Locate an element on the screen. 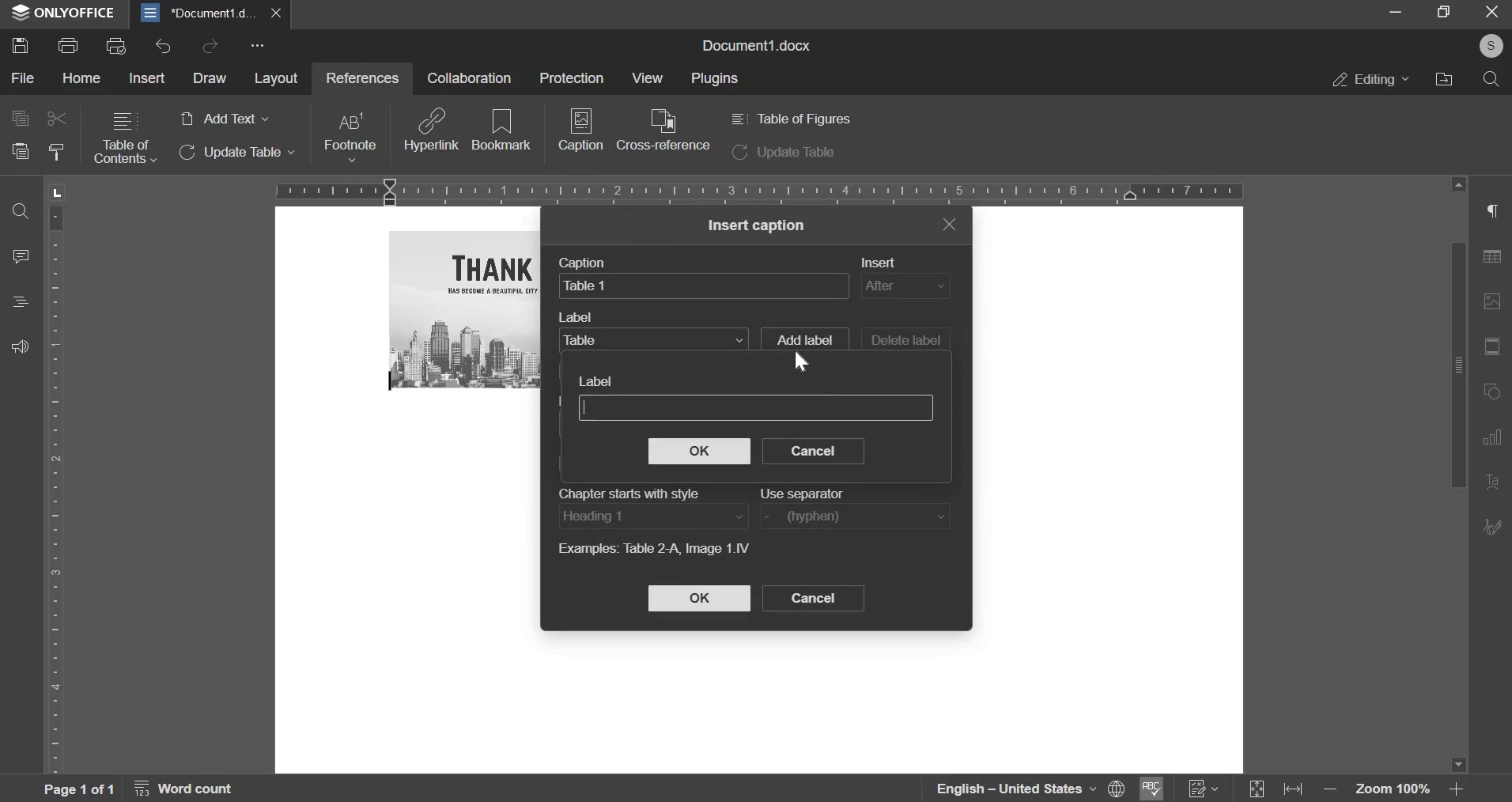 This screenshot has width=1512, height=802. table of figures is located at coordinates (789, 119).